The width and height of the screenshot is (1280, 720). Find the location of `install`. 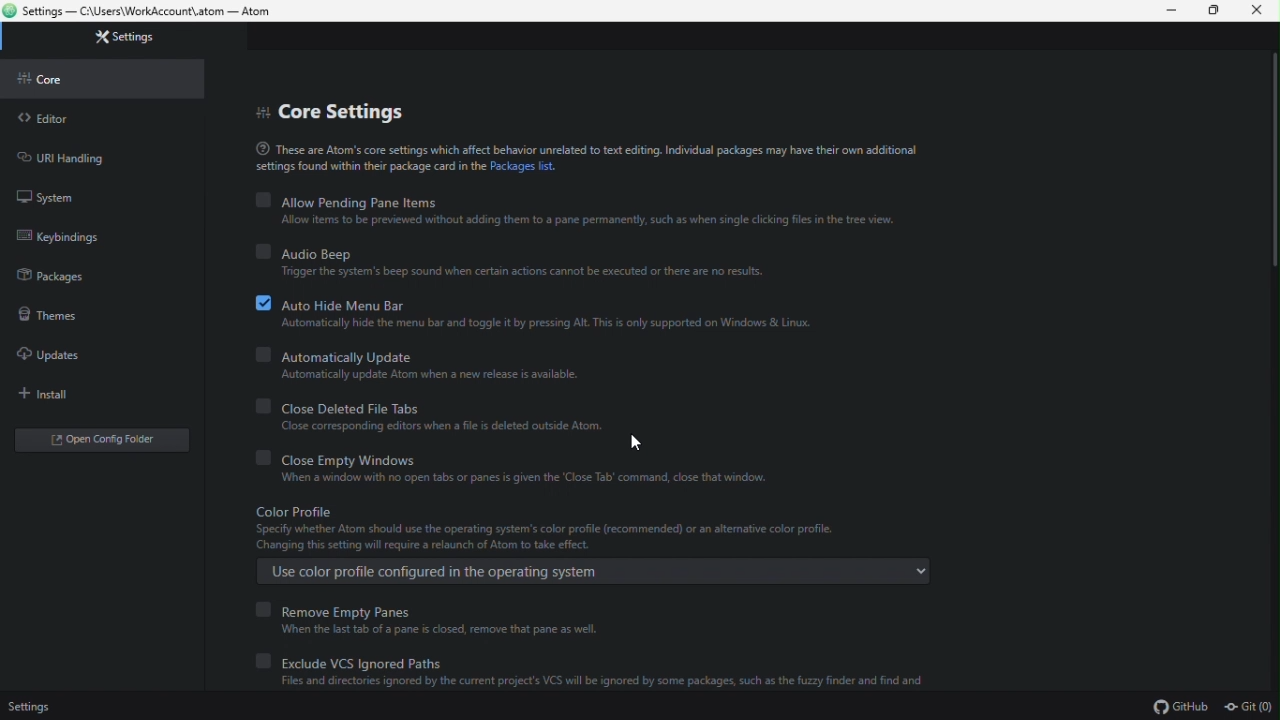

install is located at coordinates (87, 392).